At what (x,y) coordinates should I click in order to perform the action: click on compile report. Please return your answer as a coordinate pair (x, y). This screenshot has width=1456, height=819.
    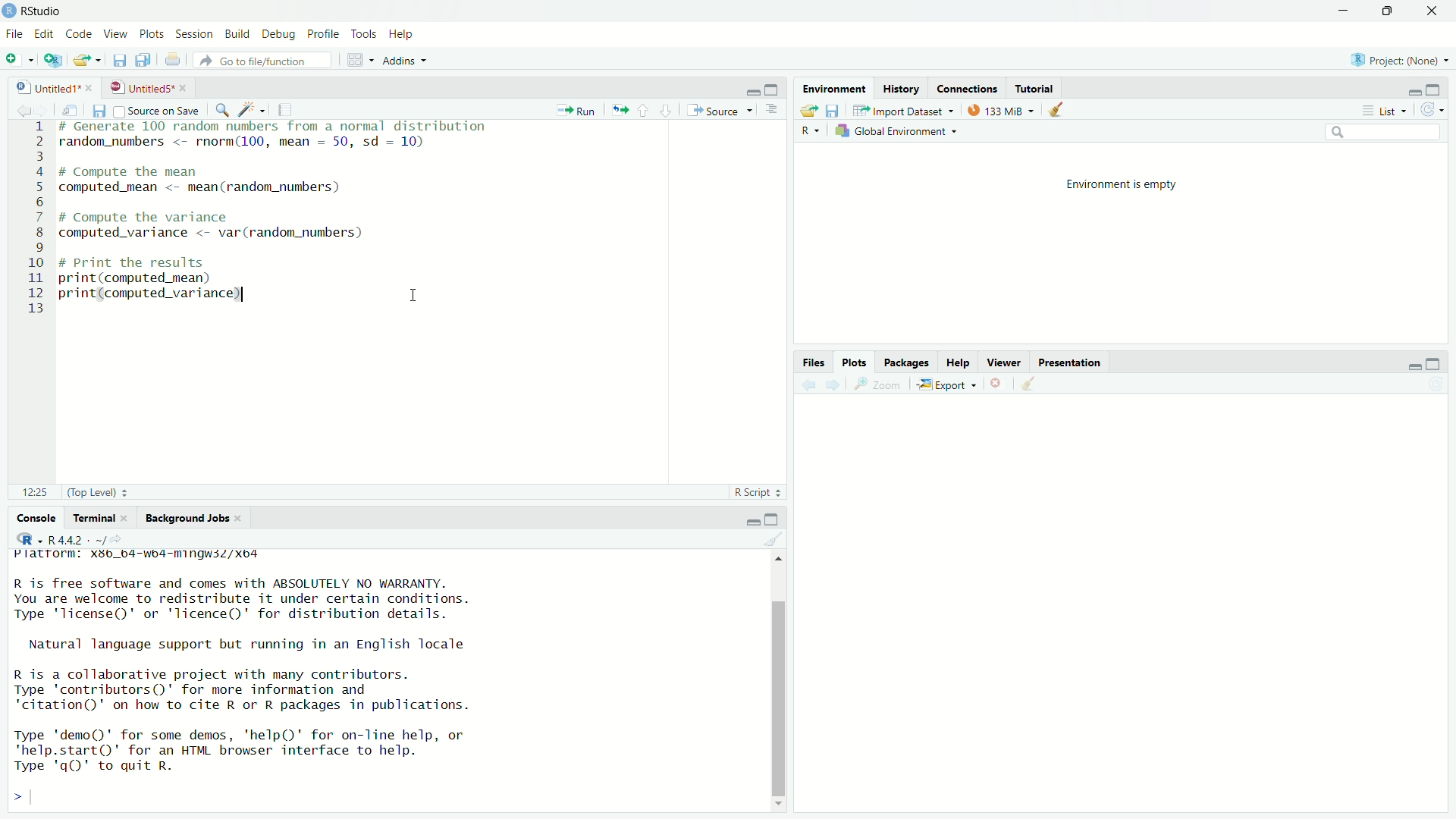
    Looking at the image, I should click on (286, 109).